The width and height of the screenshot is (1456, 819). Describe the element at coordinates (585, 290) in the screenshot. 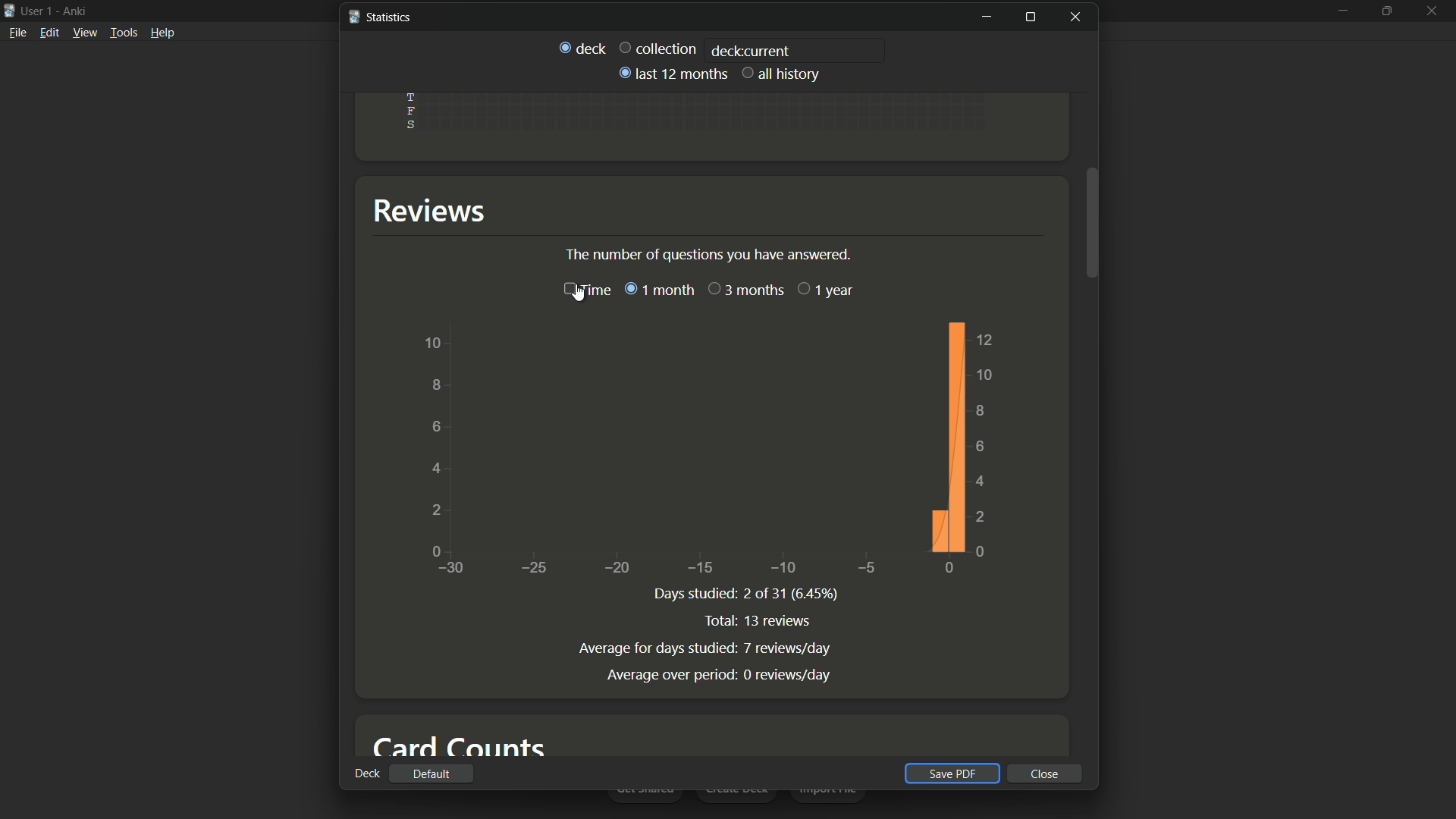

I see `time` at that location.